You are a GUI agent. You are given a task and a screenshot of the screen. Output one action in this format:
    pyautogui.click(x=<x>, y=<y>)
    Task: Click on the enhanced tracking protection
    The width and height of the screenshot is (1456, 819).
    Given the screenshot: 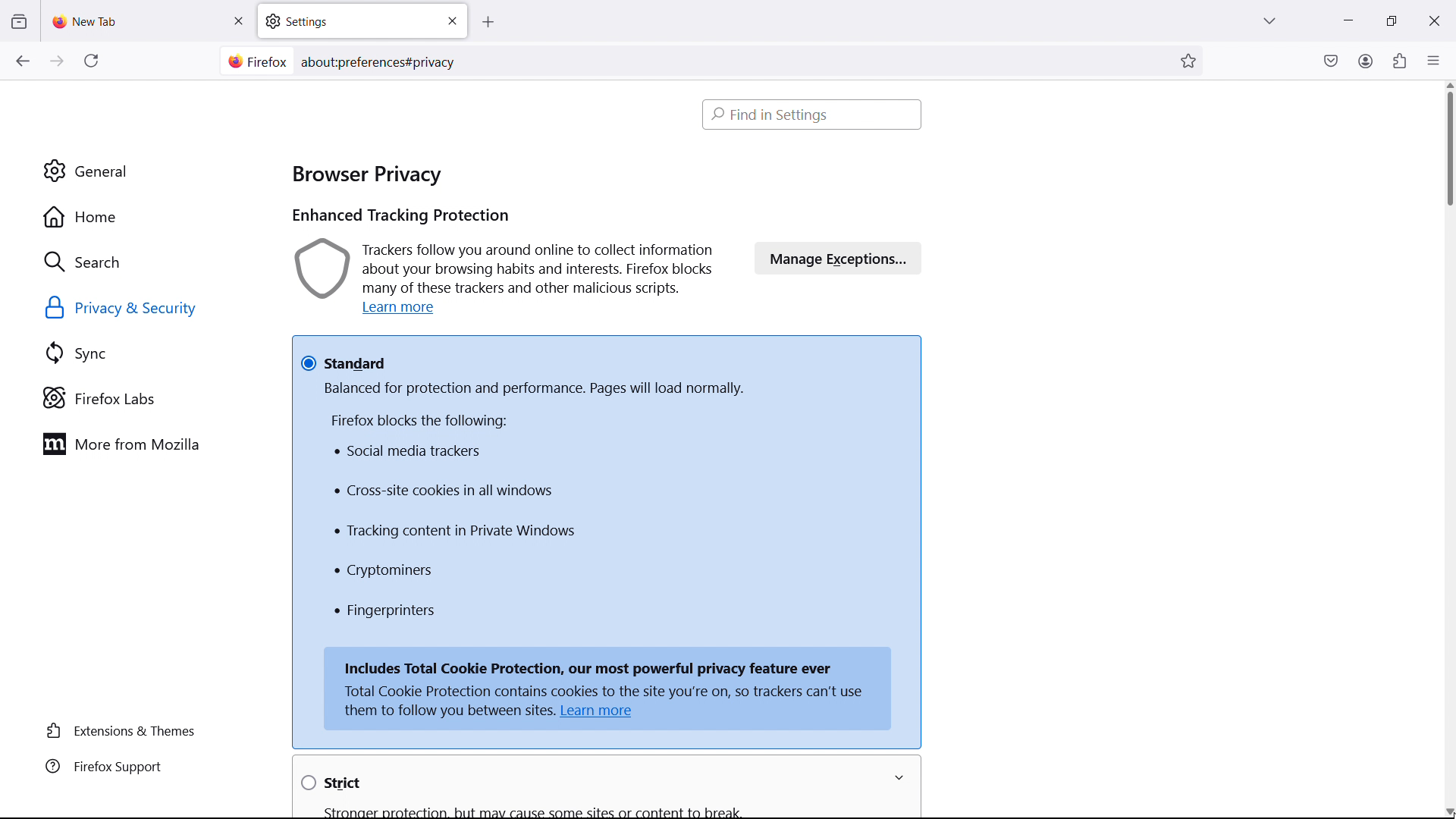 What is the action you would take?
    pyautogui.click(x=400, y=217)
    